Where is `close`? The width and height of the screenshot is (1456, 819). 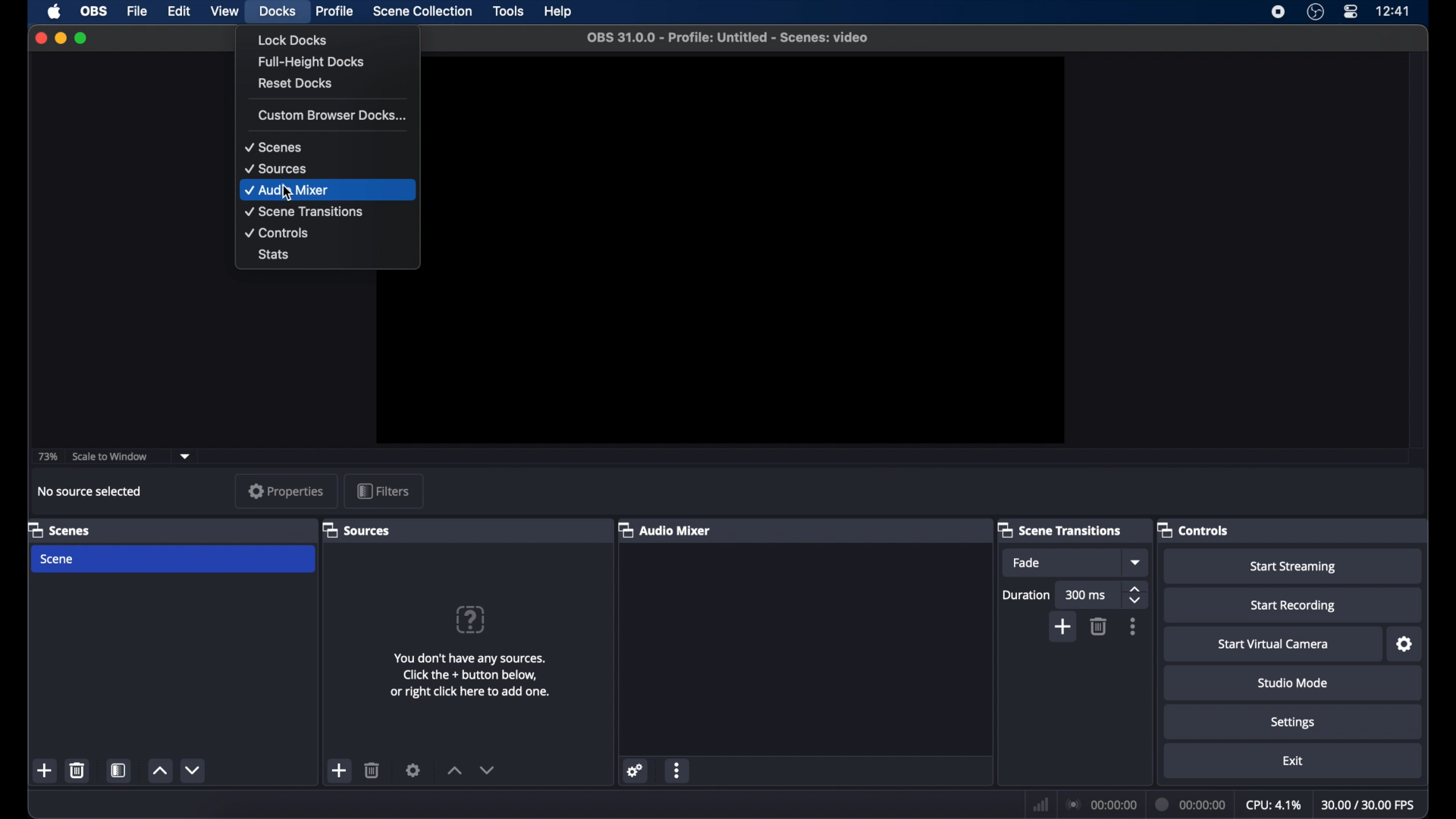
close is located at coordinates (40, 38).